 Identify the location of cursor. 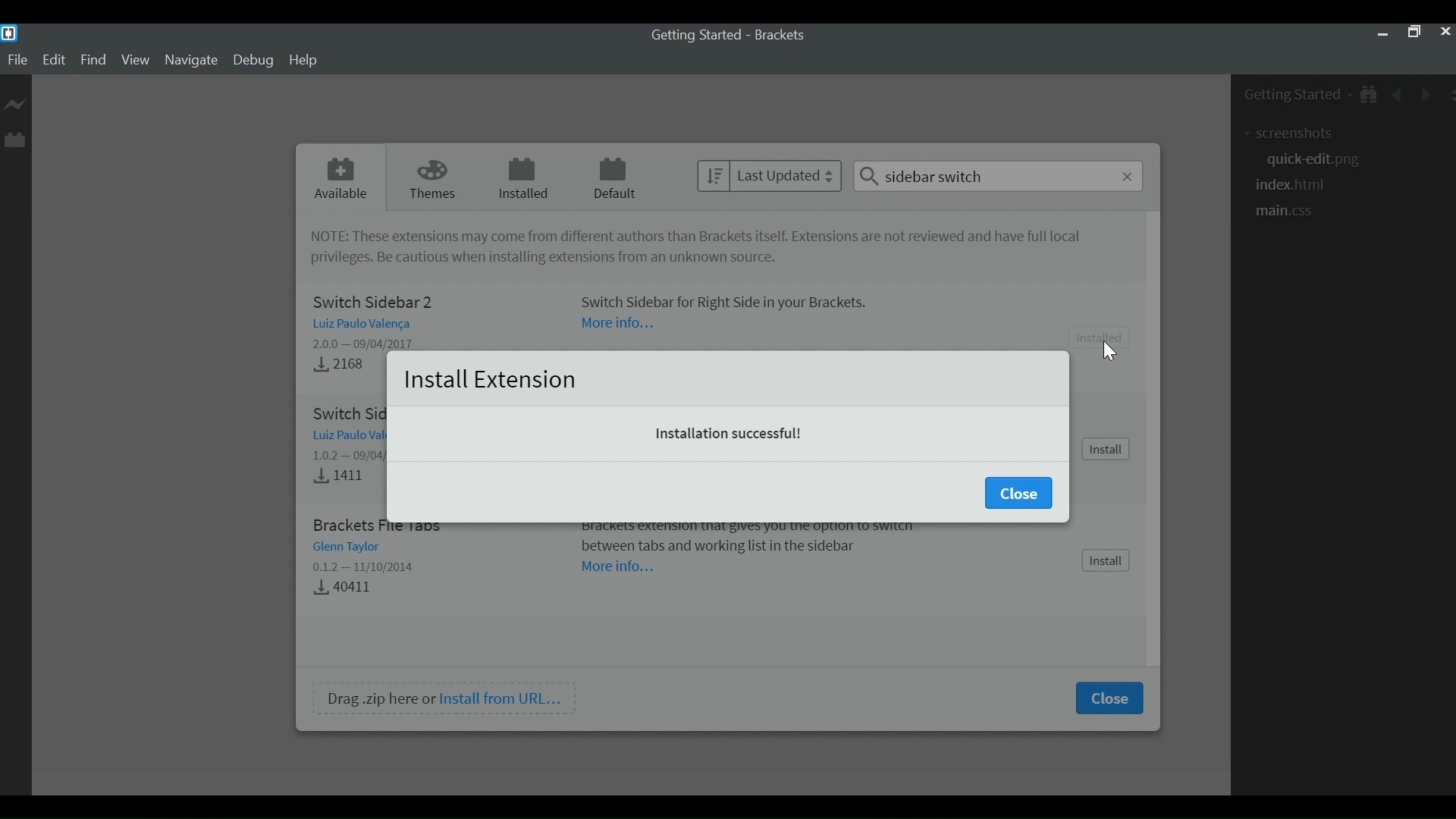
(1112, 351).